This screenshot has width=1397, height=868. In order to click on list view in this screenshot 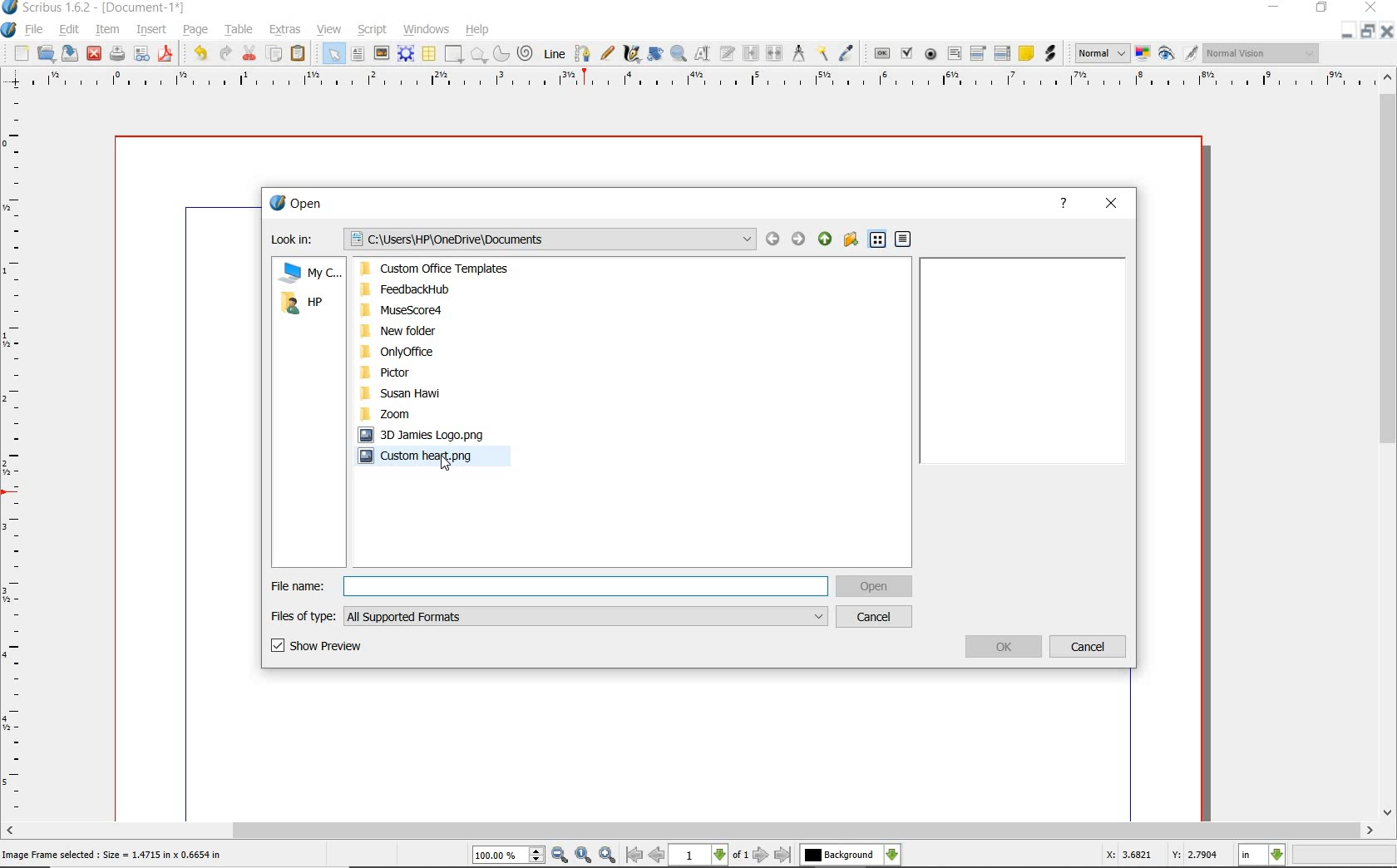, I will do `click(879, 242)`.